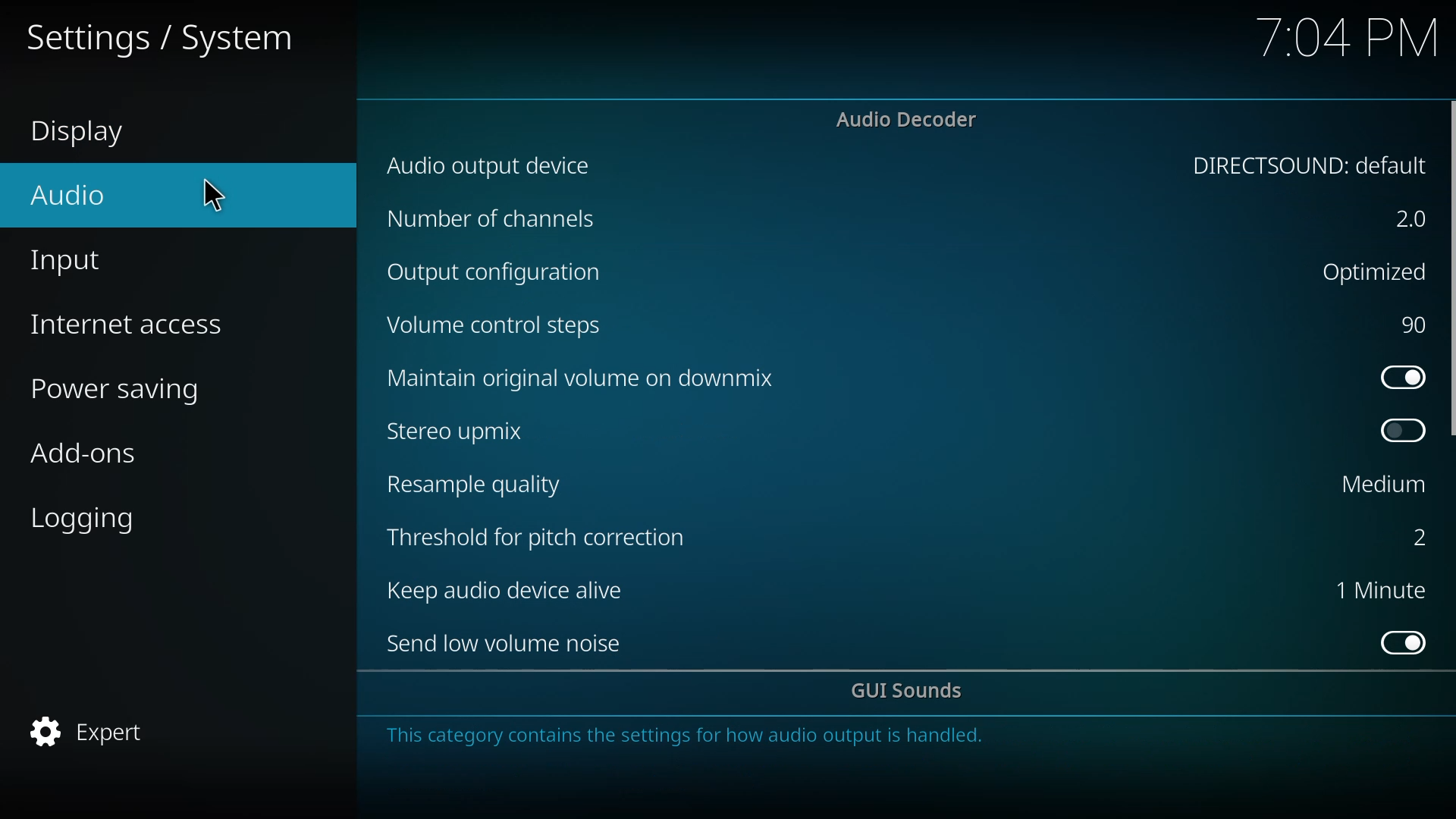  Describe the element at coordinates (479, 485) in the screenshot. I see `resample quality` at that location.